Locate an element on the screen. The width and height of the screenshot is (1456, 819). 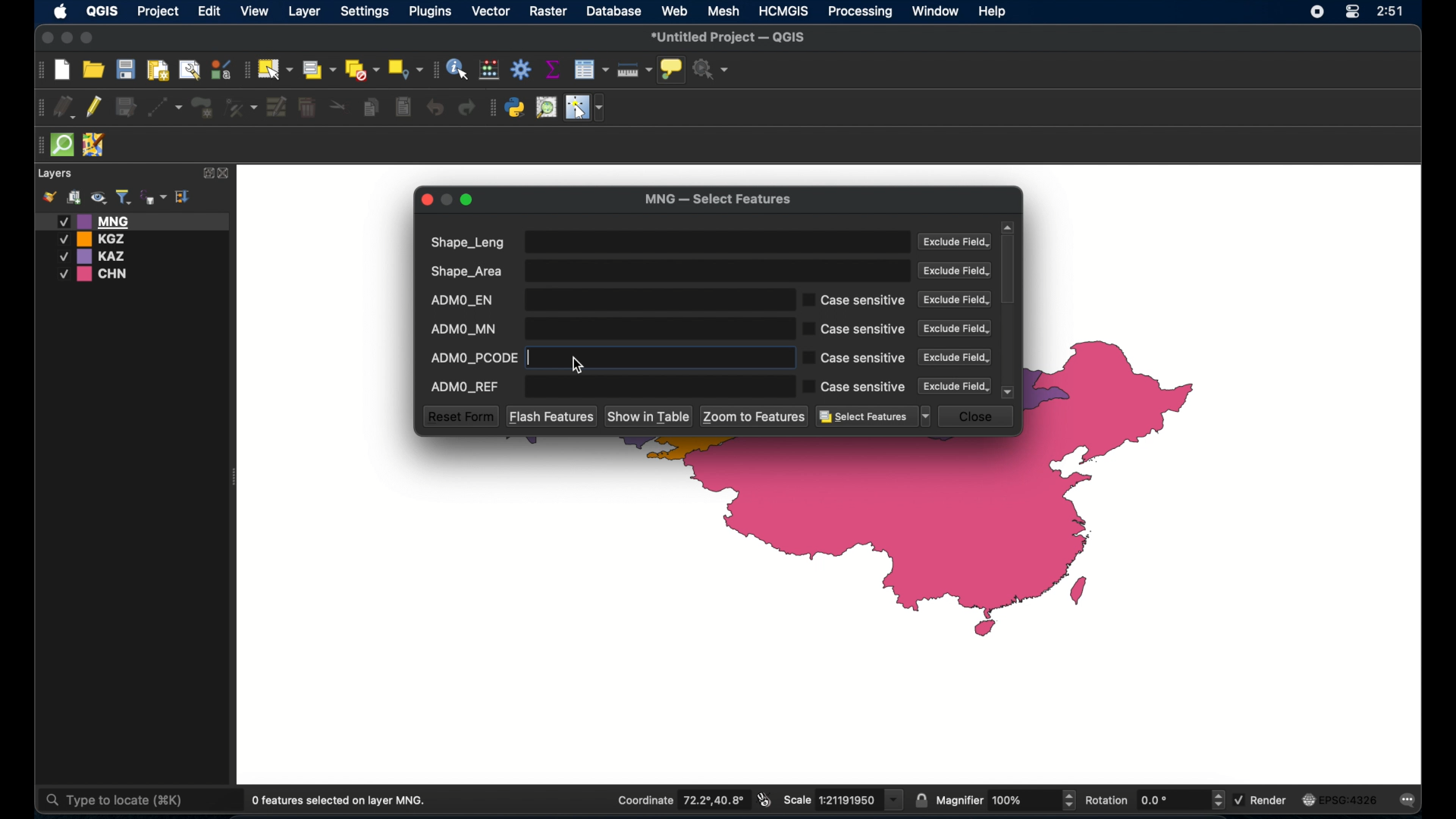
lock scale is located at coordinates (921, 801).